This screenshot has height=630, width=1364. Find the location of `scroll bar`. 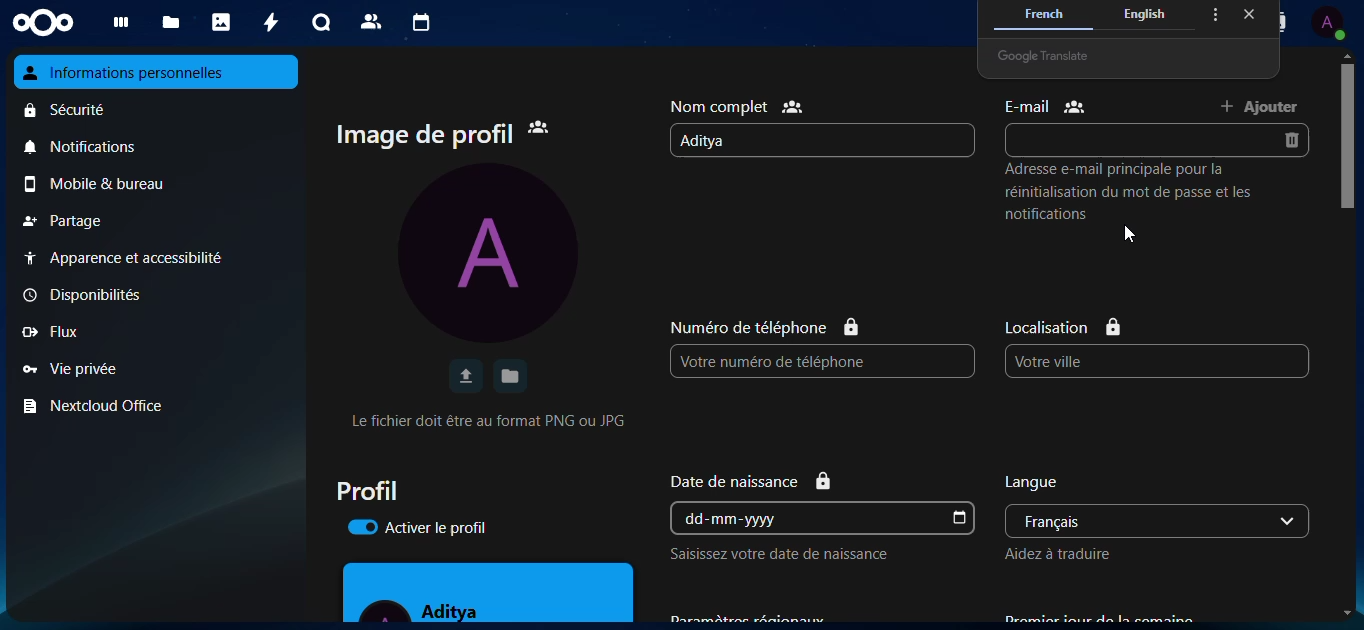

scroll bar is located at coordinates (1349, 136).